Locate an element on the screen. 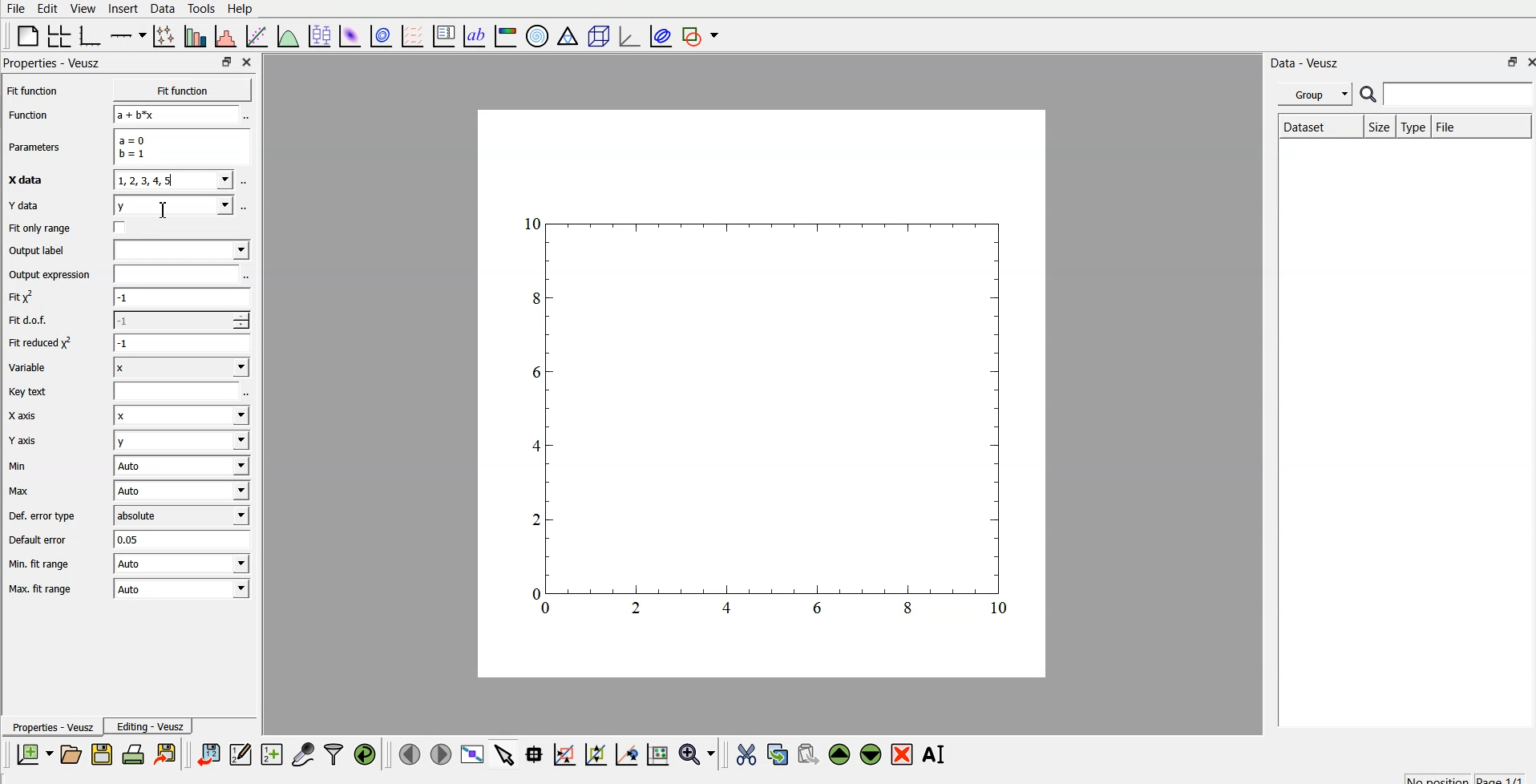  <I is located at coordinates (180, 368).